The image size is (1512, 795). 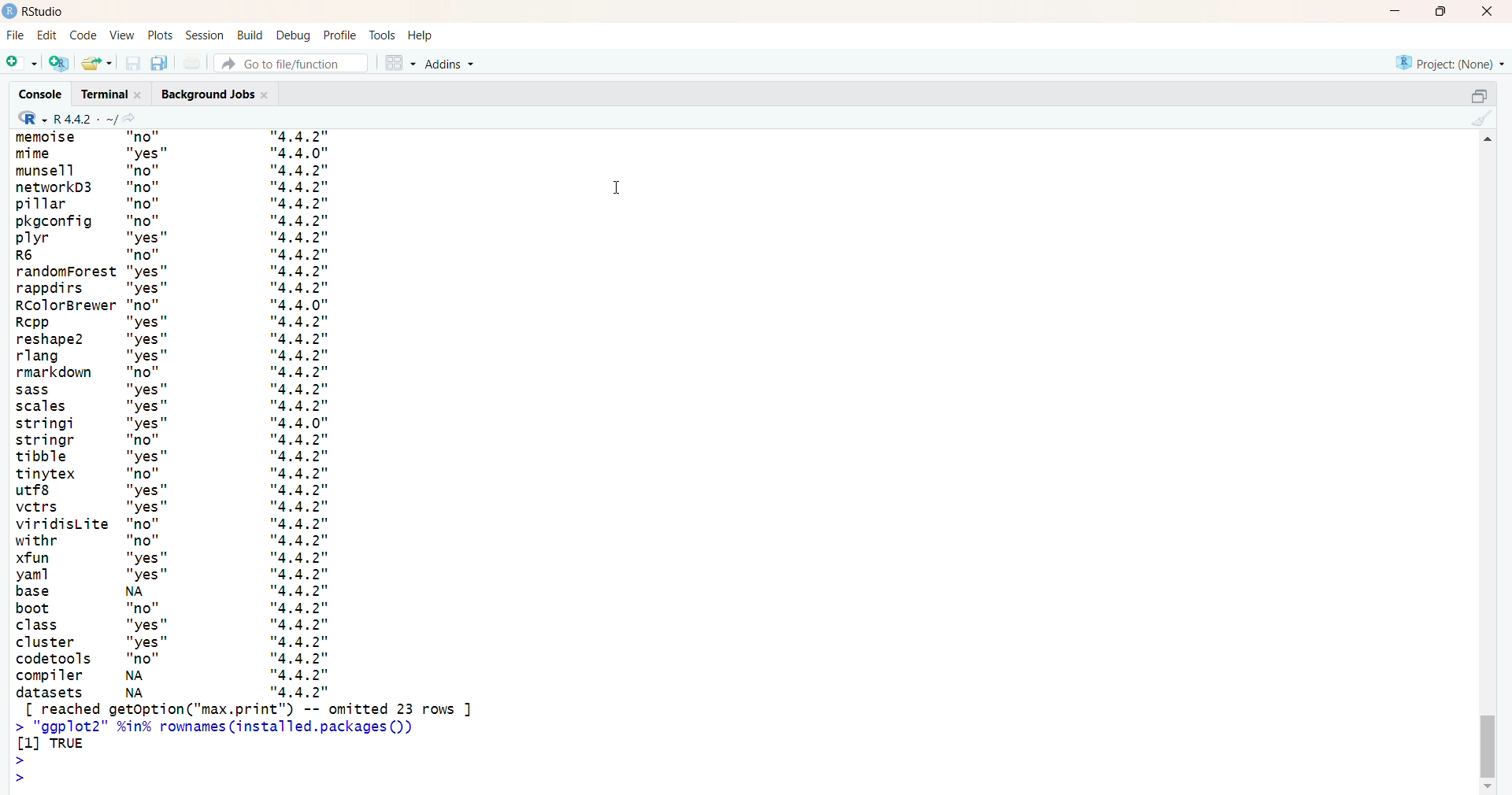 I want to click on scrollbar, so click(x=1490, y=465).